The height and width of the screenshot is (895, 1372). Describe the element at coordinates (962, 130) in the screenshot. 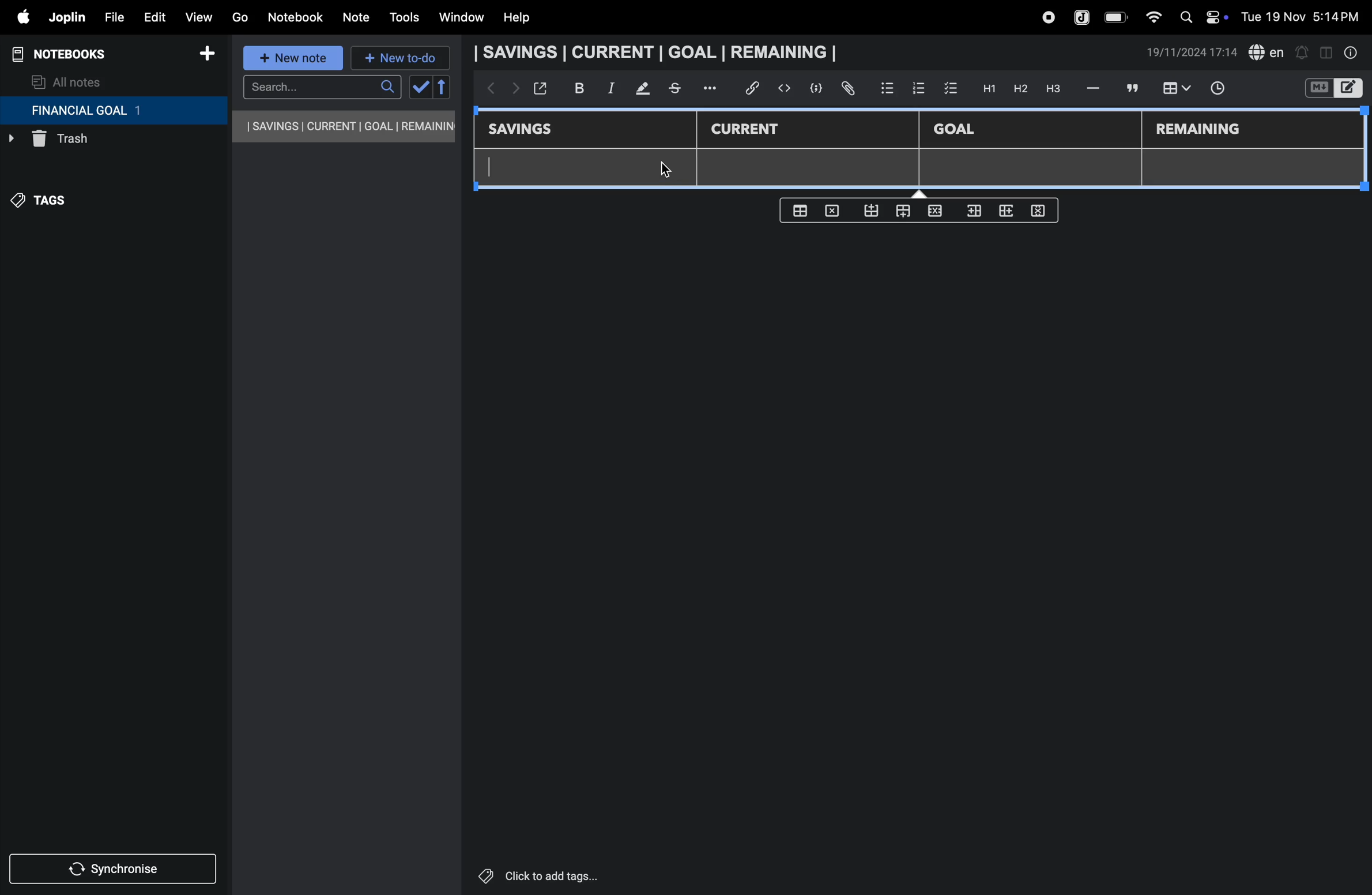

I see `Goal` at that location.